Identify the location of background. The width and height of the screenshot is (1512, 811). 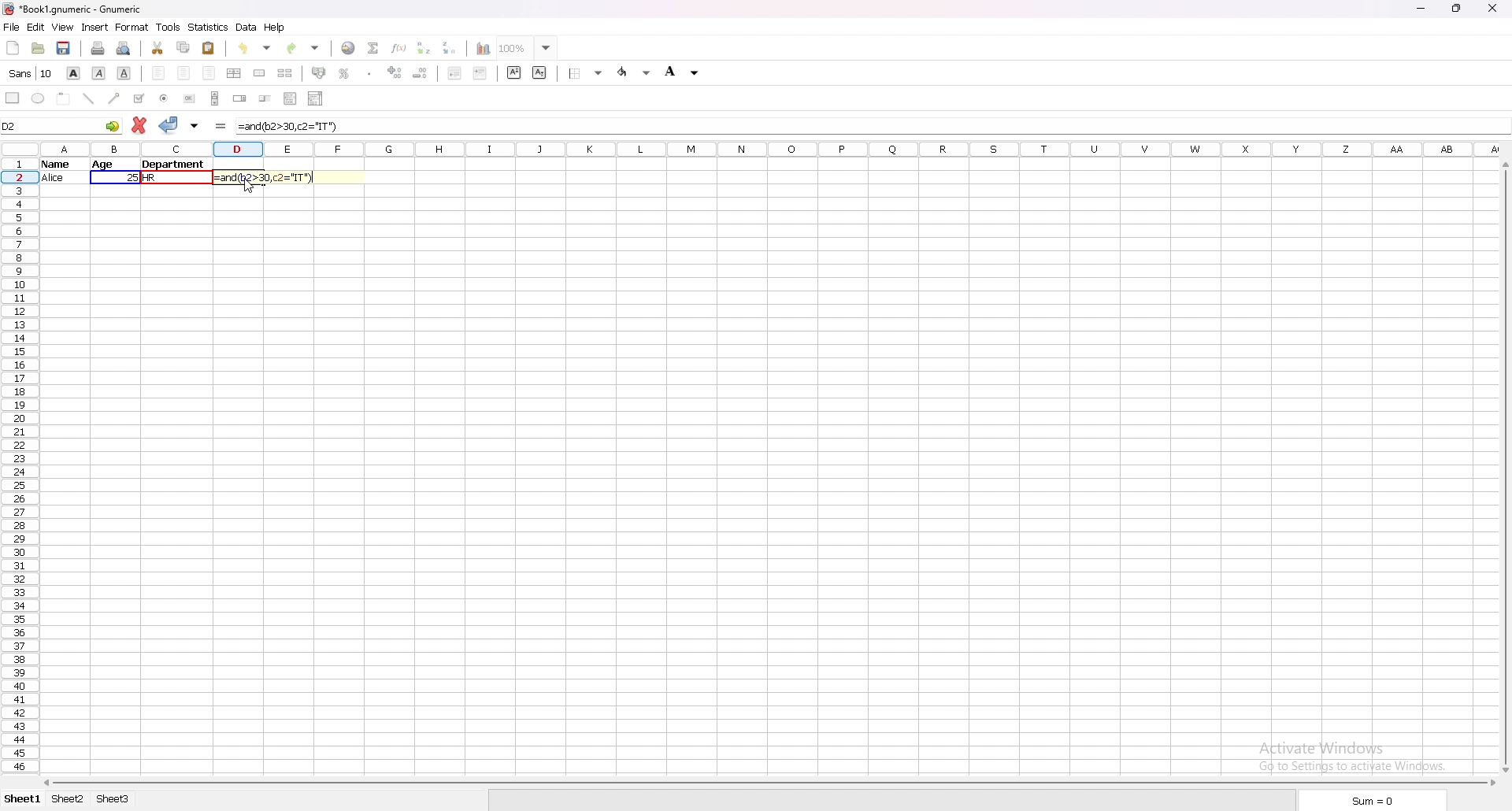
(681, 72).